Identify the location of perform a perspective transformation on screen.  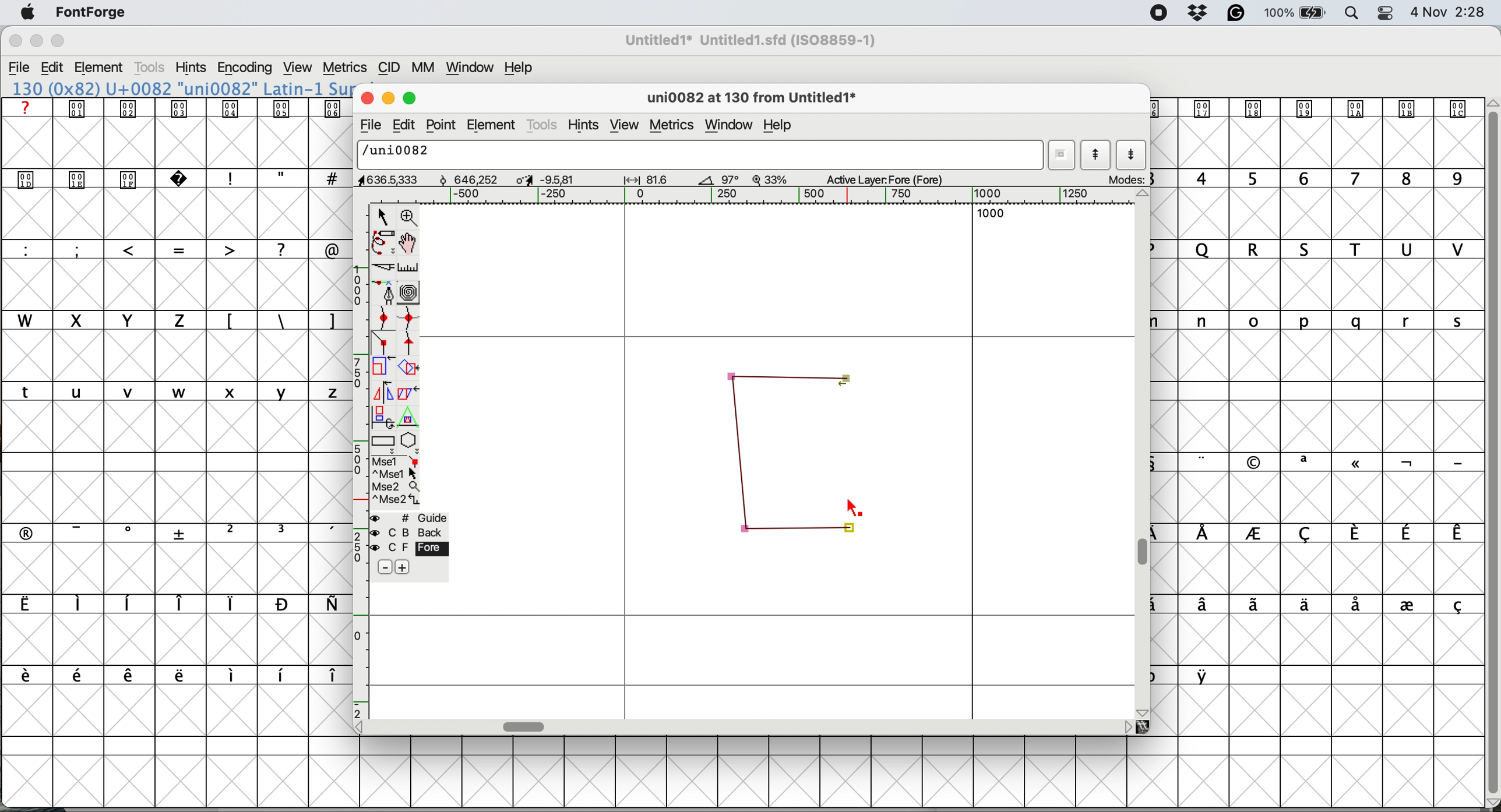
(410, 417).